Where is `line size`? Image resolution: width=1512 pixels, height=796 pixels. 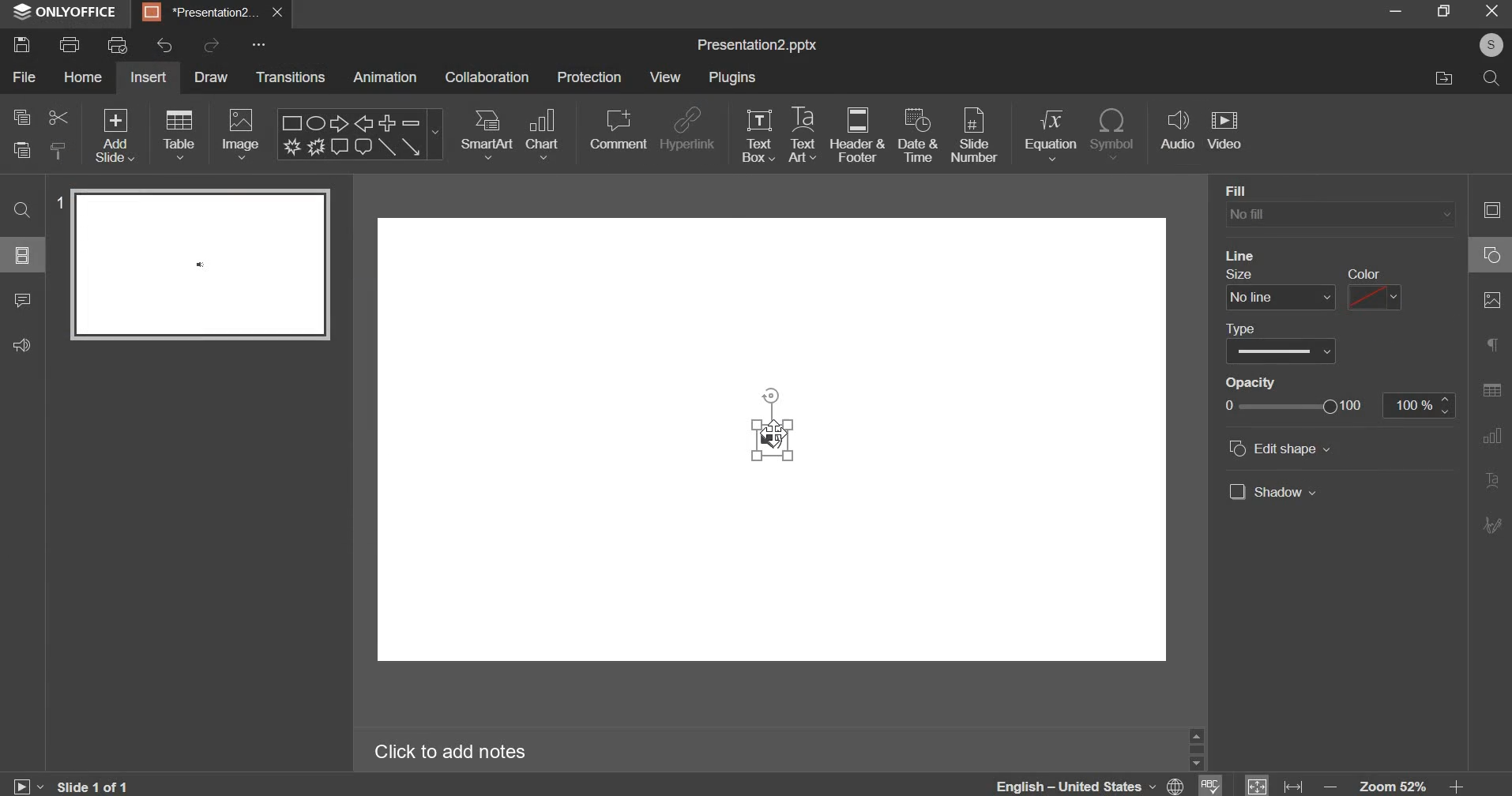
line size is located at coordinates (1281, 298).